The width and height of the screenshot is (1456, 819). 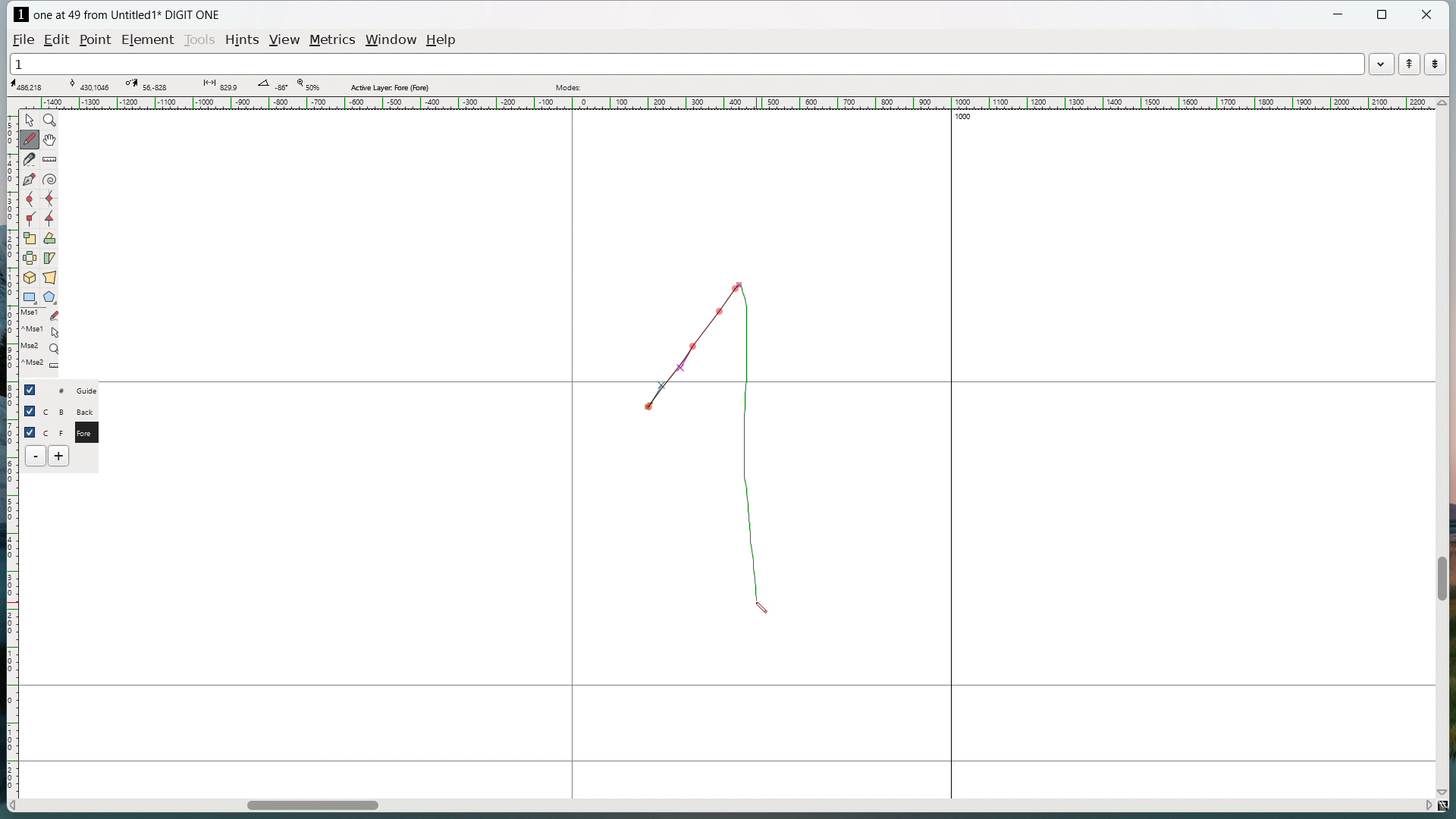 I want to click on distance between points, so click(x=219, y=85).